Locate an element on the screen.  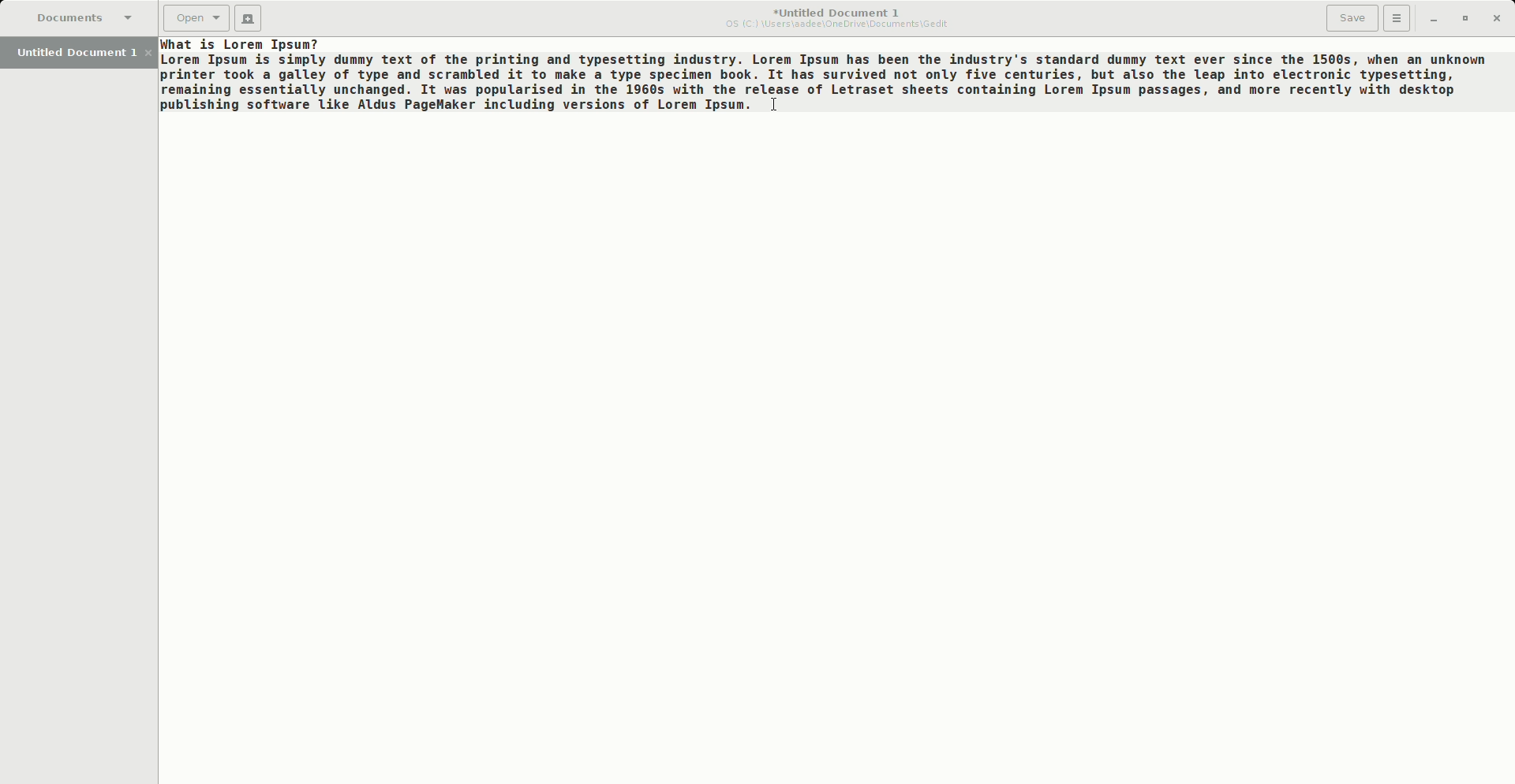
Minimize is located at coordinates (1428, 18).